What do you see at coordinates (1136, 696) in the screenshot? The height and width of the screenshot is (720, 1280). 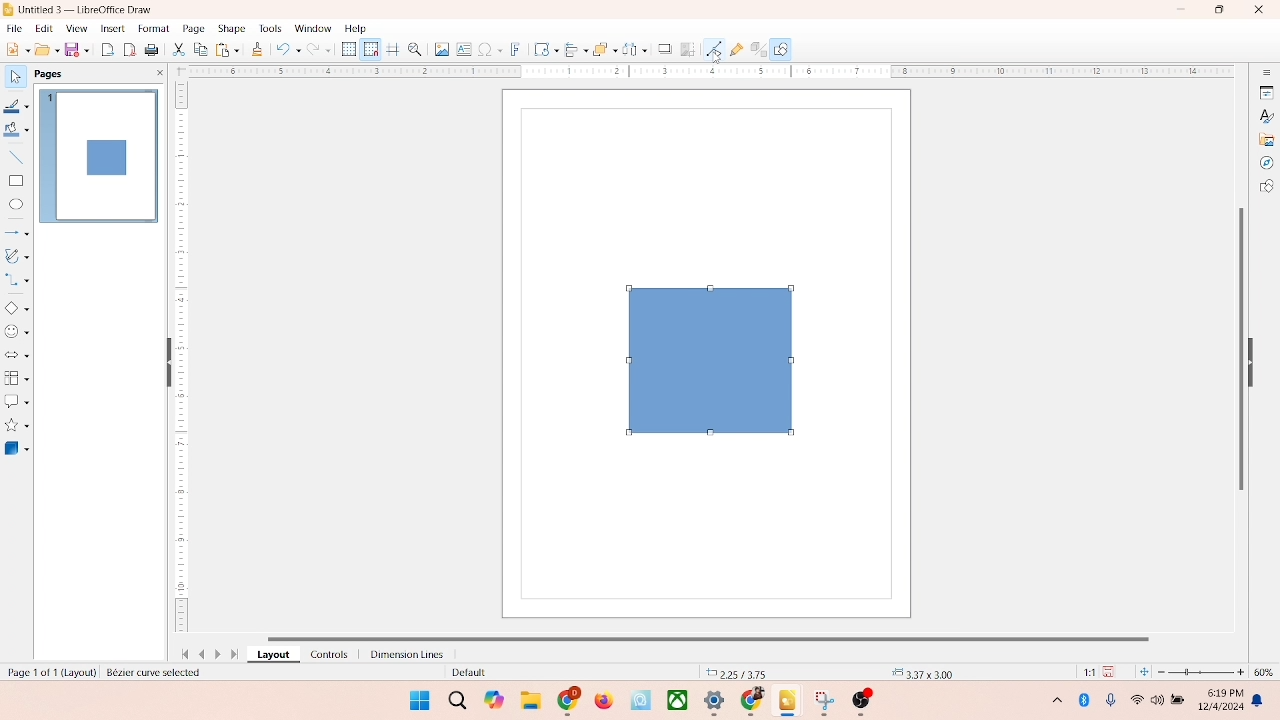 I see `wifi` at bounding box center [1136, 696].